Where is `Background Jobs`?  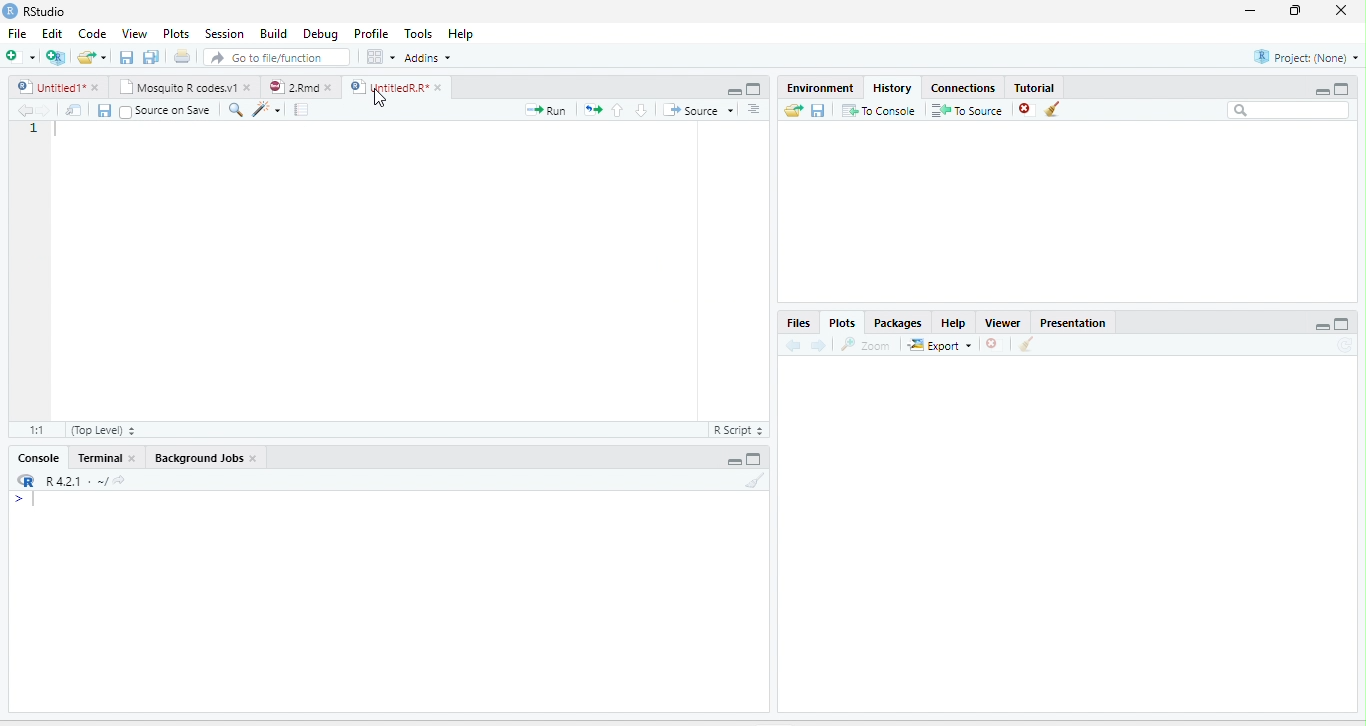 Background Jobs is located at coordinates (197, 458).